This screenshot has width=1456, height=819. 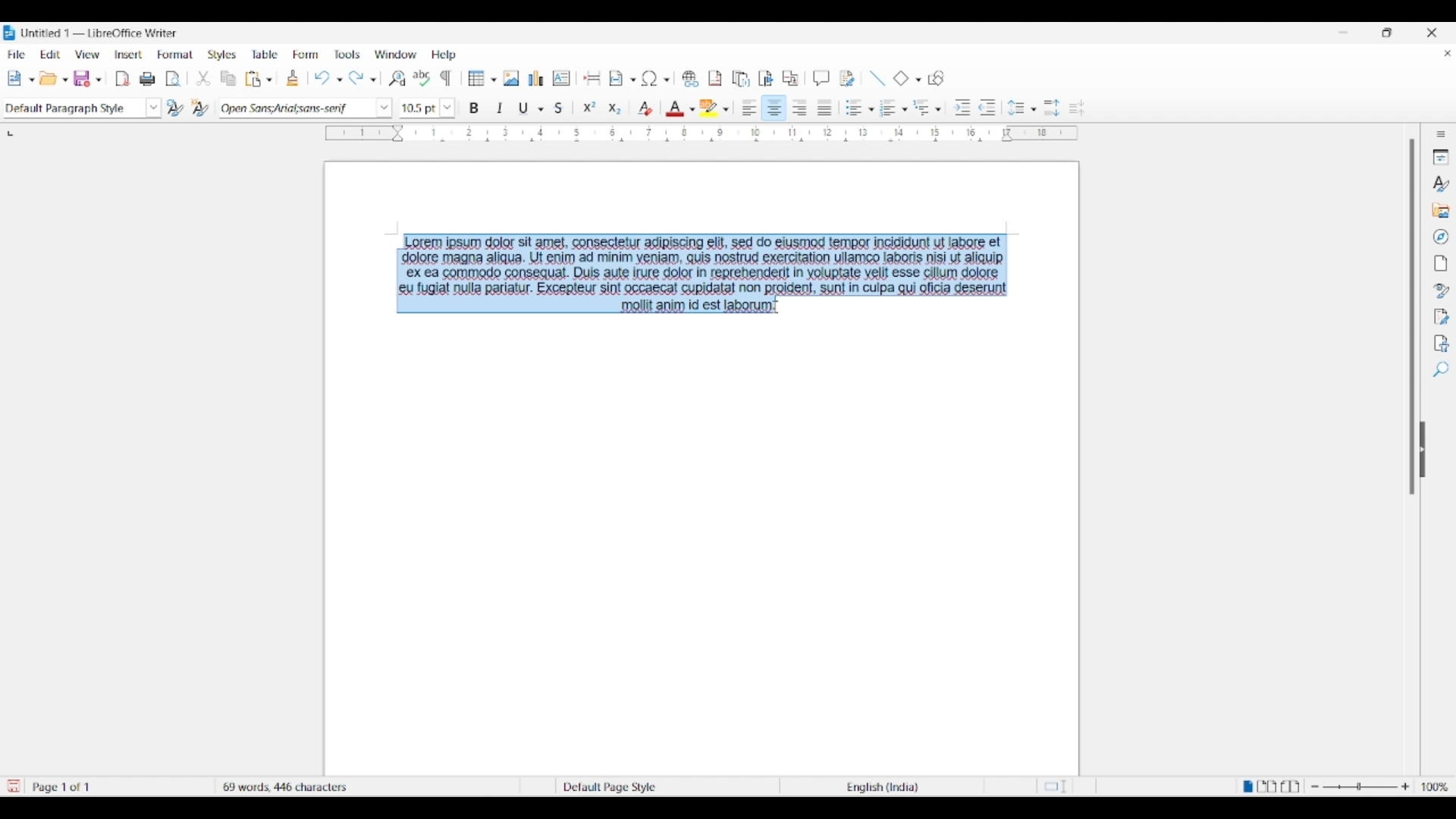 I want to click on Hide right sidebar, so click(x=1423, y=450).